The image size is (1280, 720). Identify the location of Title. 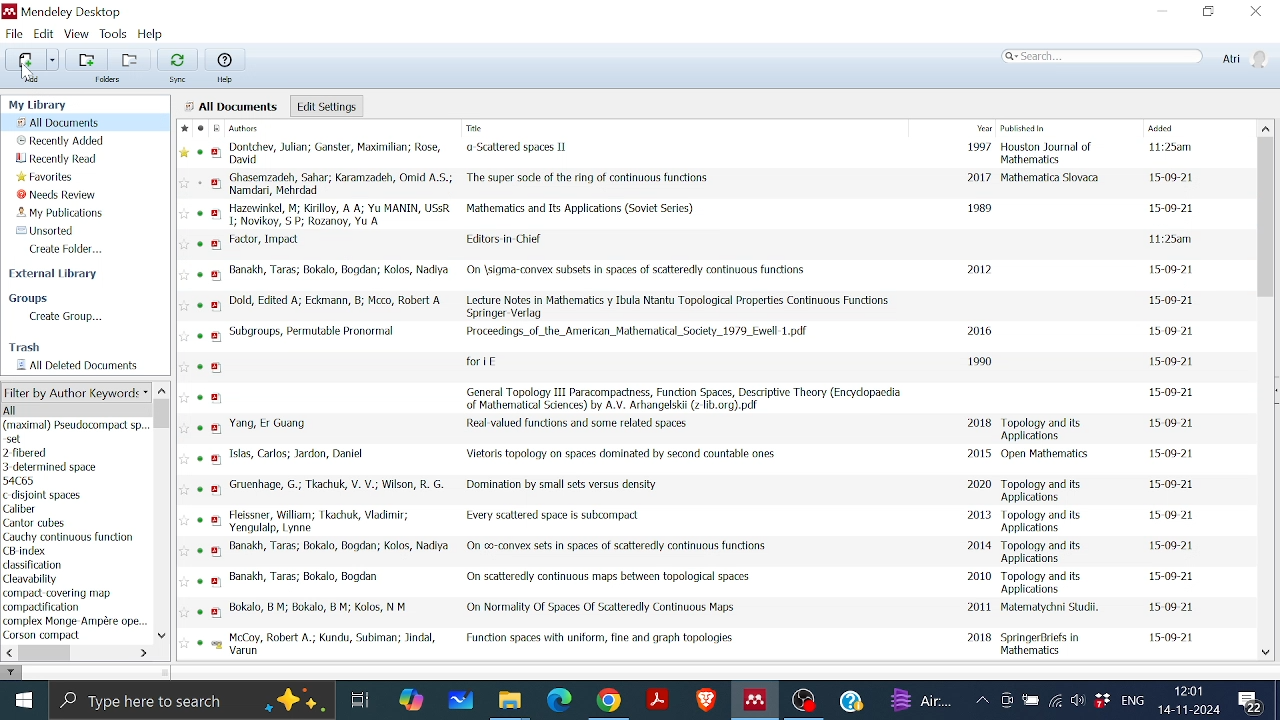
(524, 148).